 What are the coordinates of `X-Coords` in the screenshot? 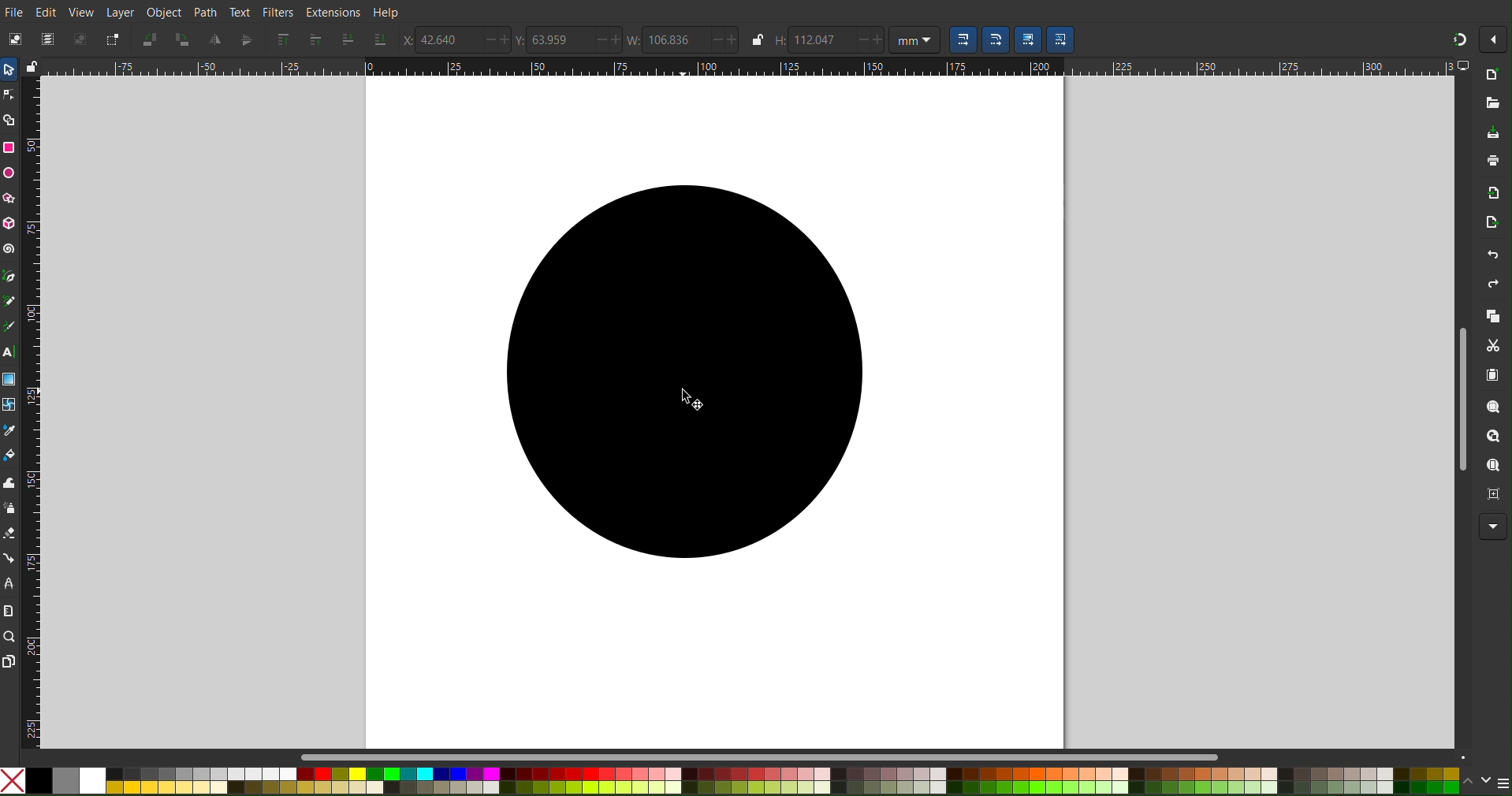 It's located at (405, 39).